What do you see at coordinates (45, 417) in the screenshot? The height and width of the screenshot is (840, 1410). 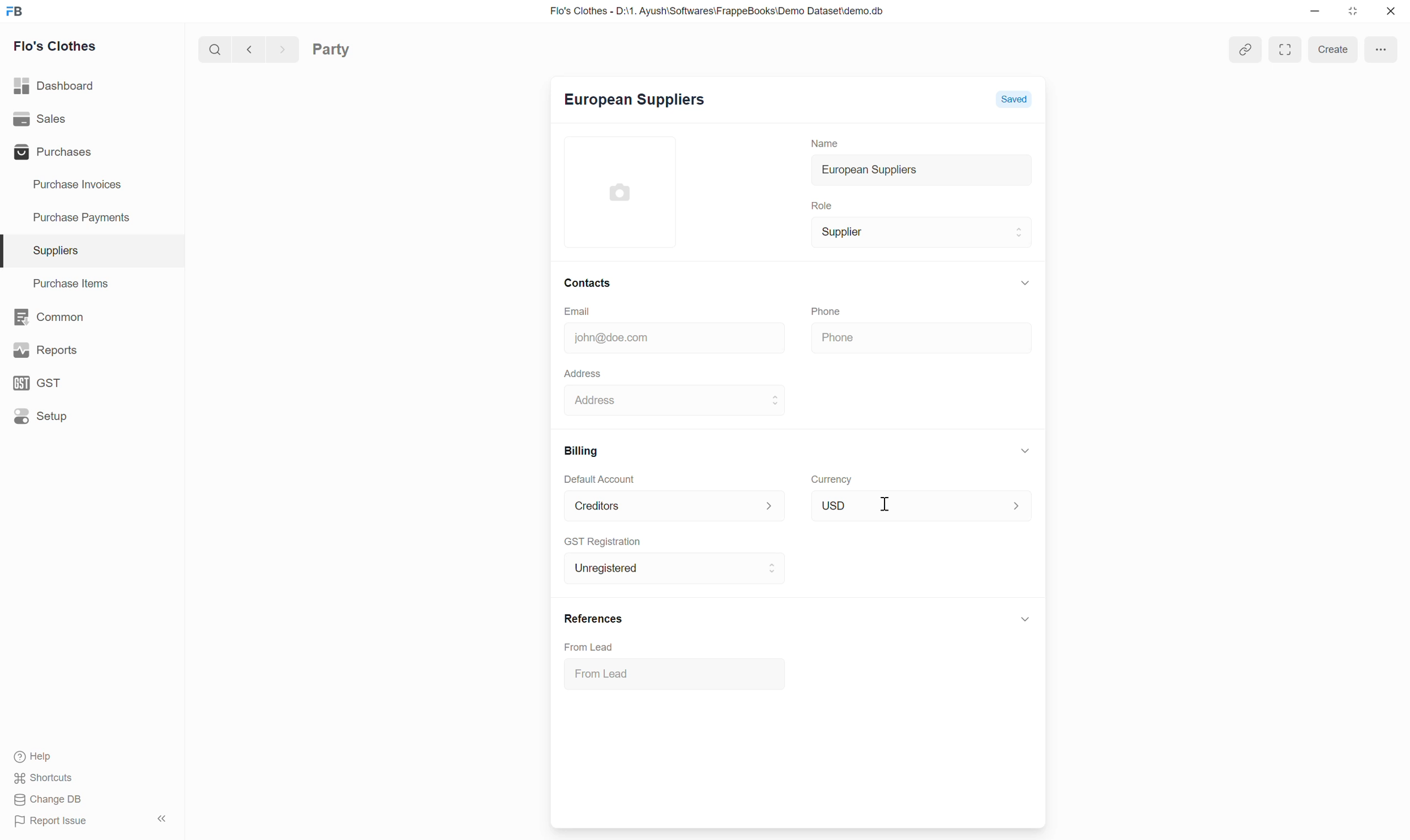 I see `Setup` at bounding box center [45, 417].